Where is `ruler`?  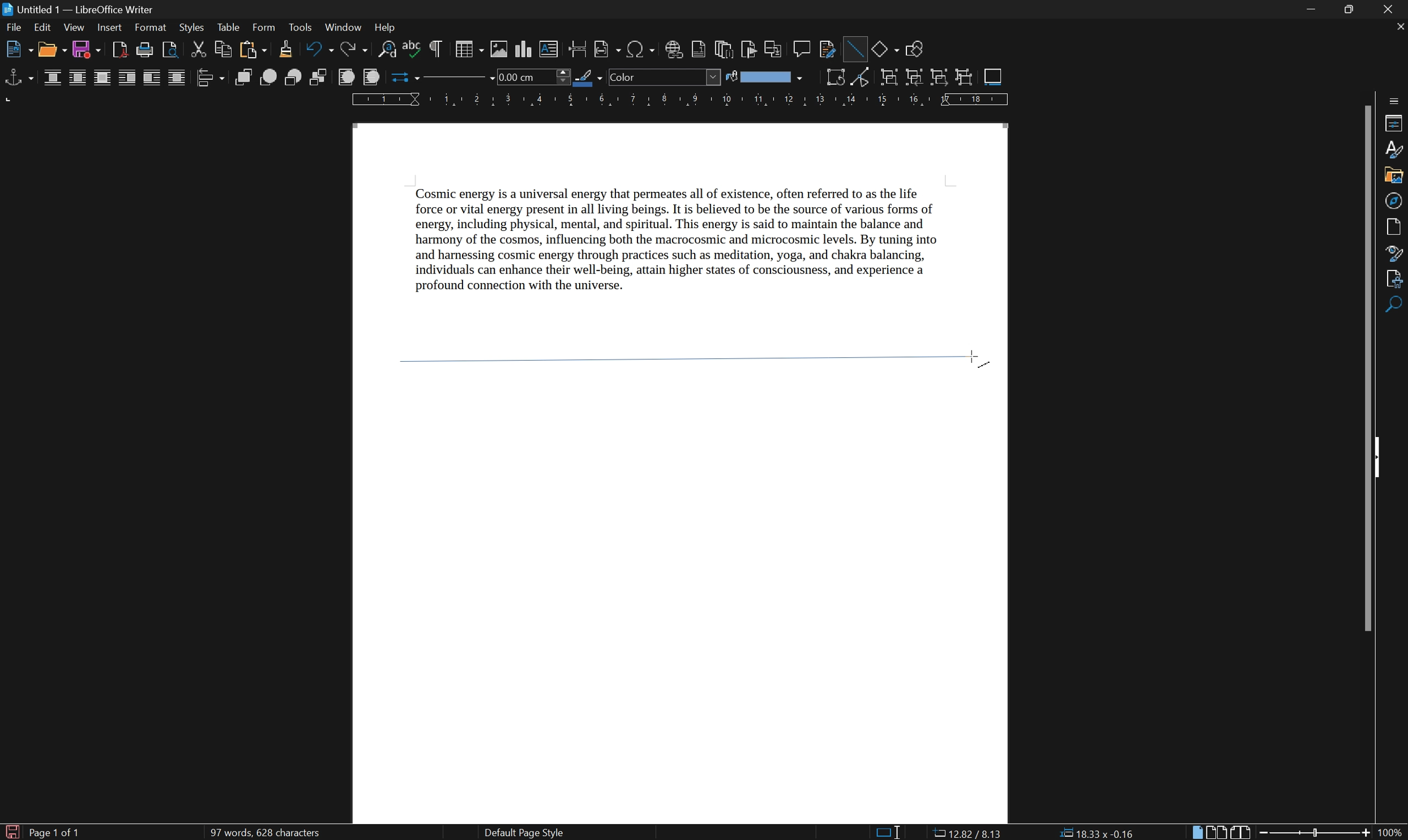
ruler is located at coordinates (679, 100).